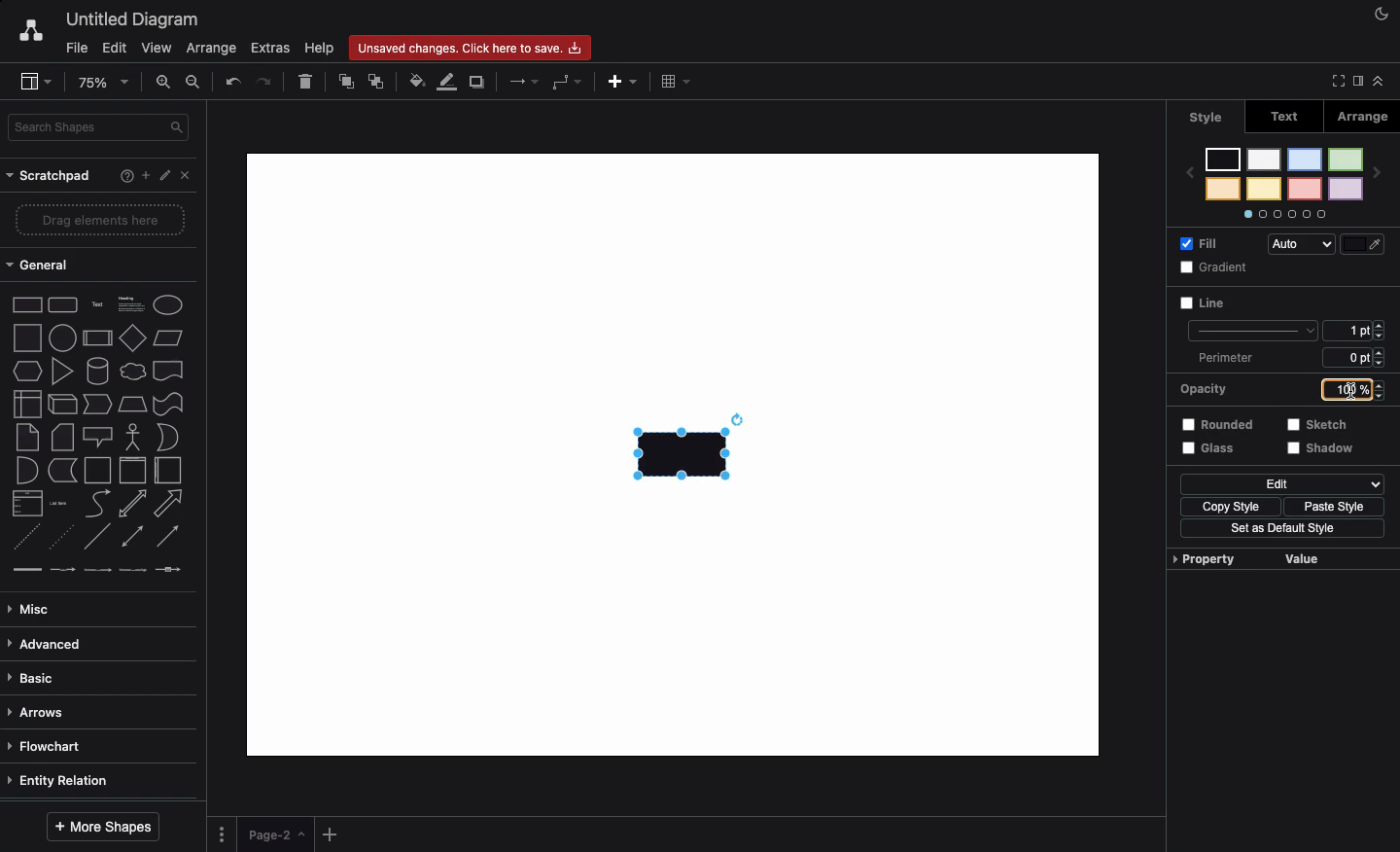 The width and height of the screenshot is (1400, 852). I want to click on Gradient, so click(1210, 269).